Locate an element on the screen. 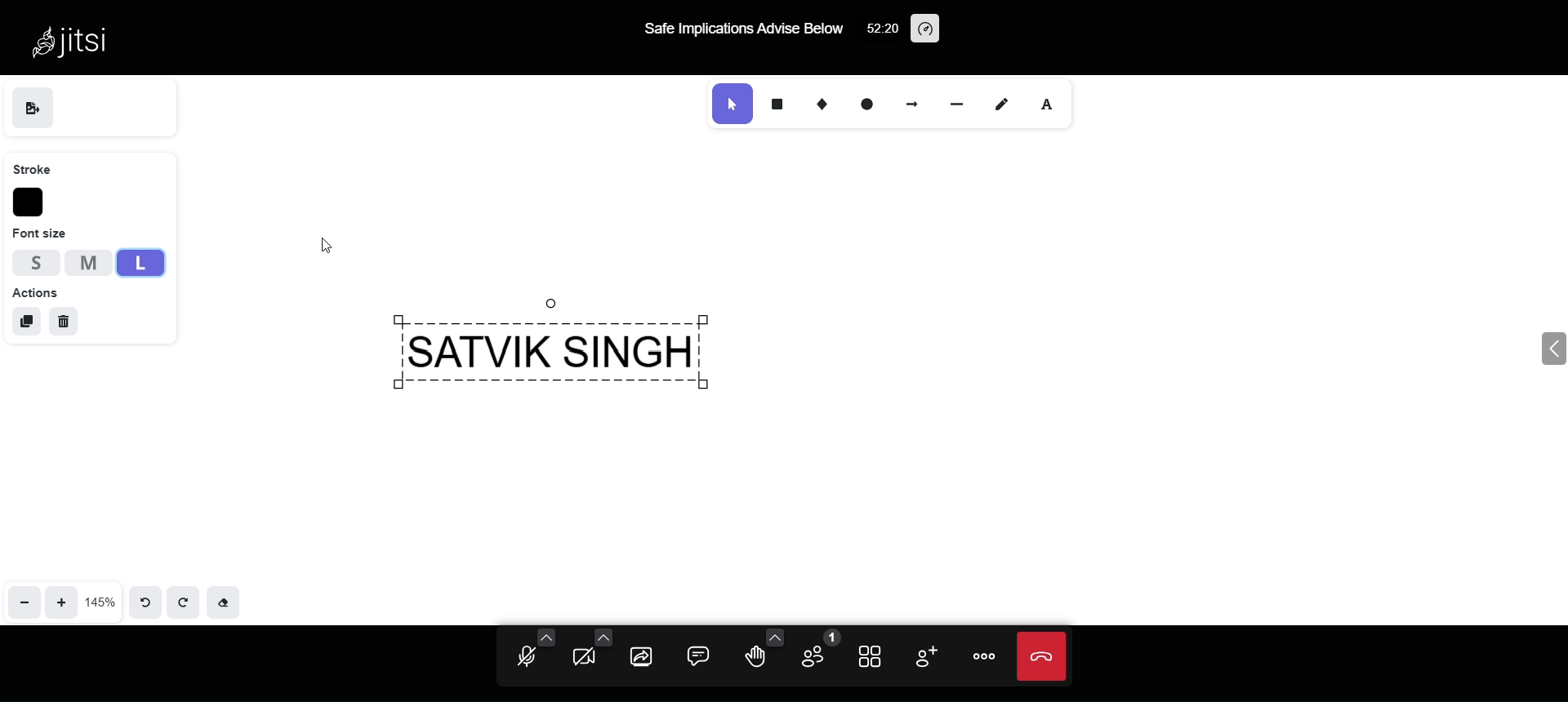  redo is located at coordinates (186, 602).